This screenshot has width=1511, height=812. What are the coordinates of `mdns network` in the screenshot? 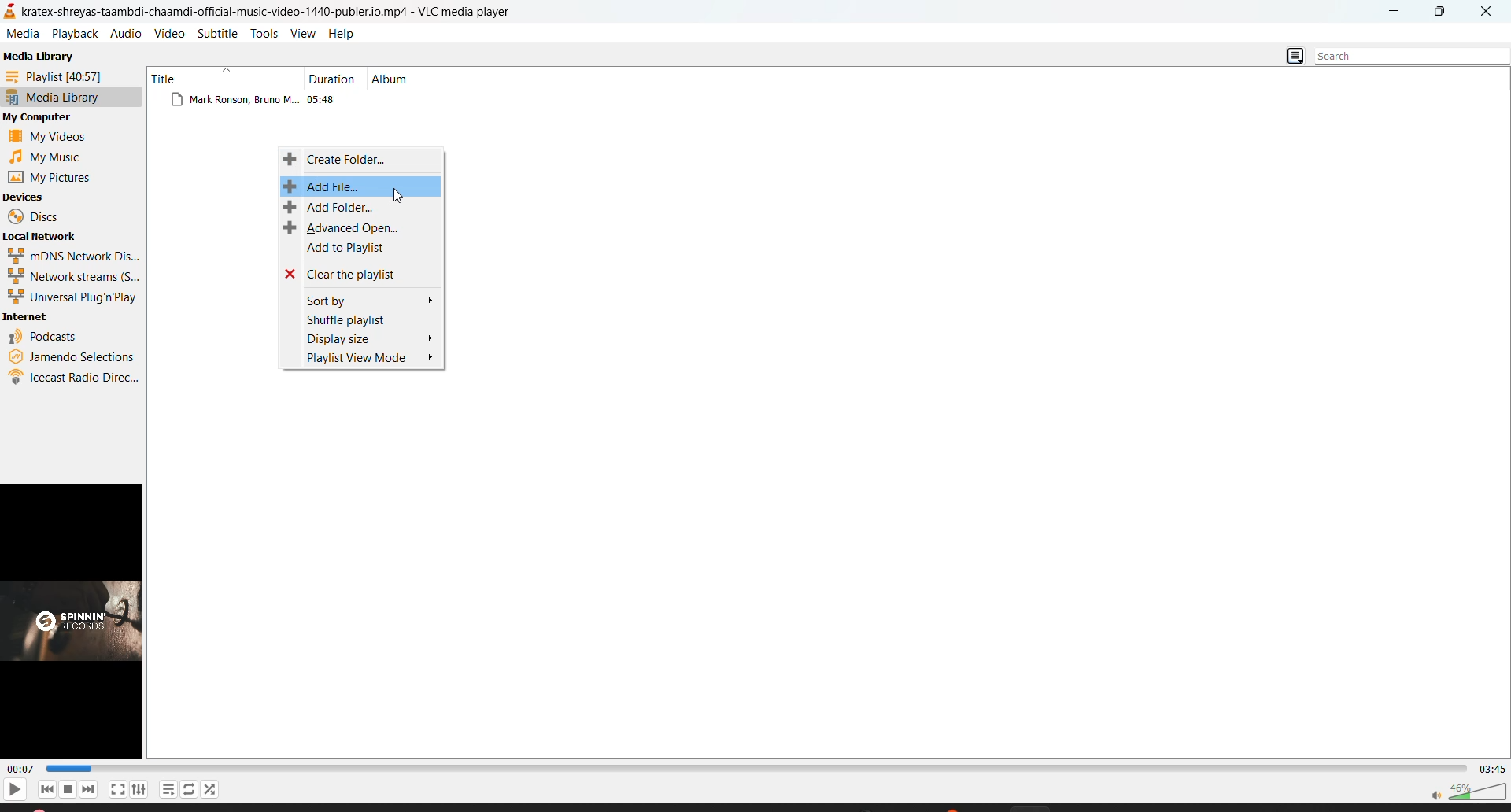 It's located at (75, 257).